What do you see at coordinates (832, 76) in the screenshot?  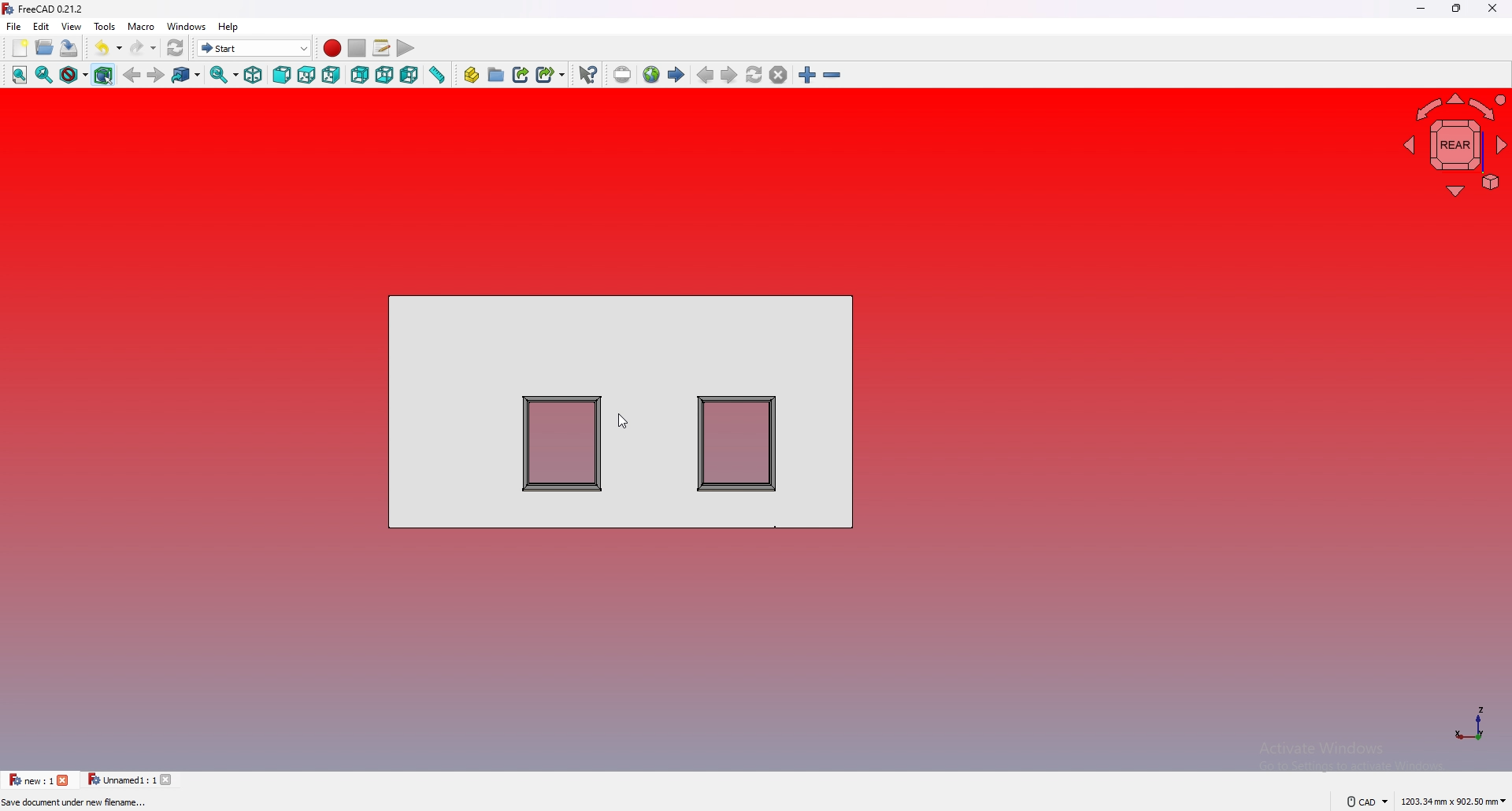 I see `zoom out` at bounding box center [832, 76].